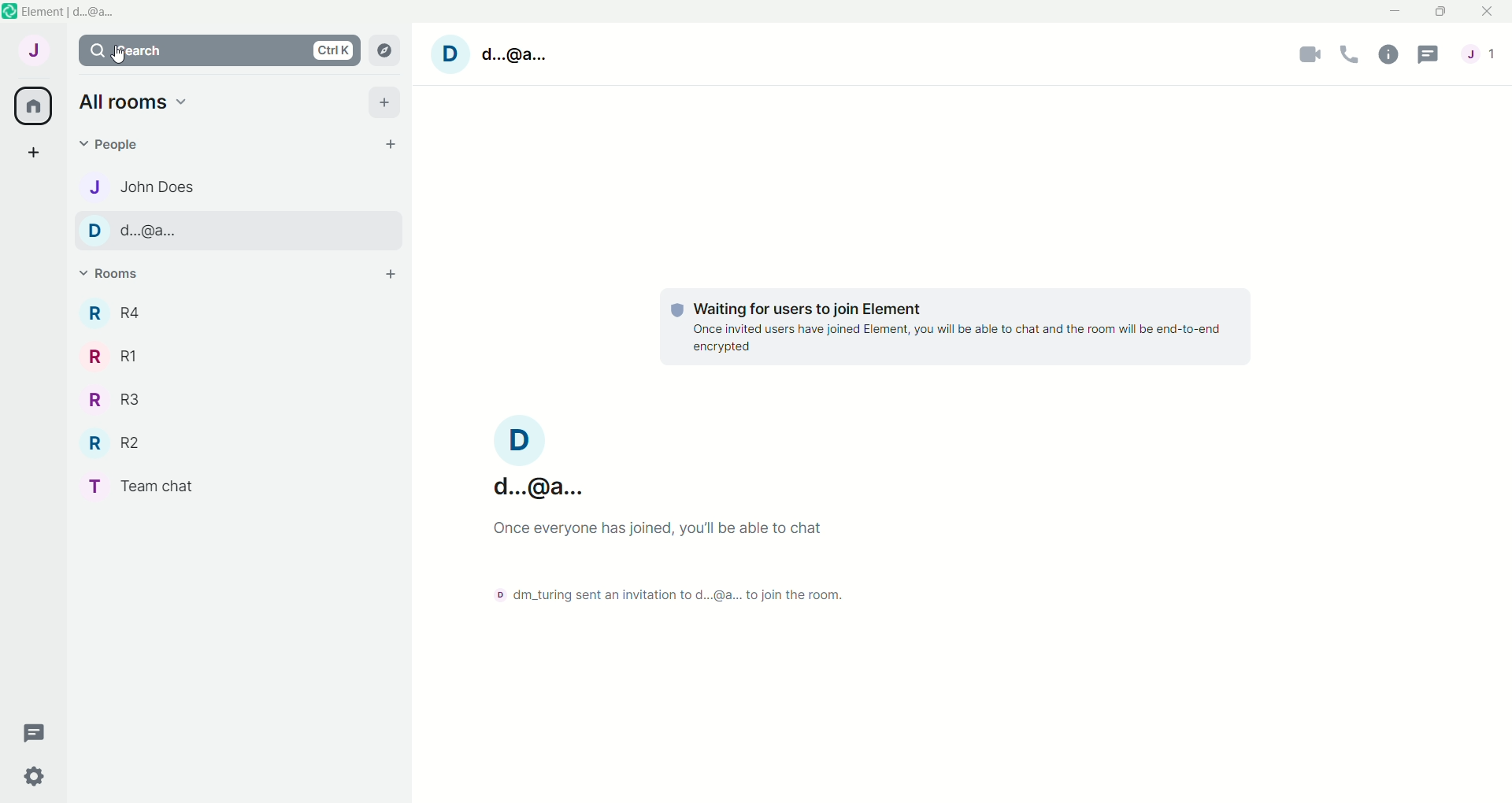 This screenshot has width=1512, height=803. What do you see at coordinates (110, 313) in the screenshot?
I see `R4` at bounding box center [110, 313].